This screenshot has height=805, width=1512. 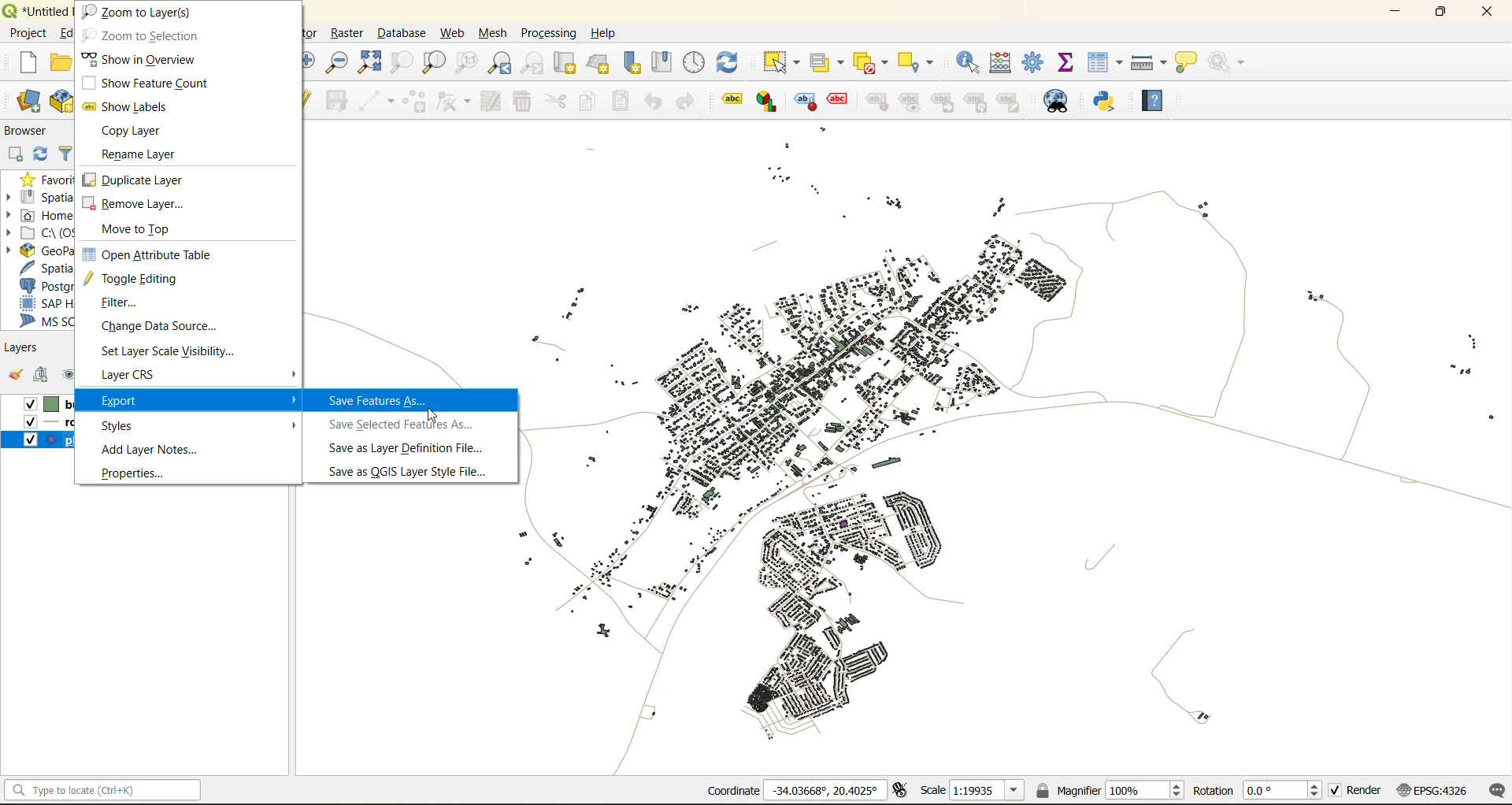 I want to click on rotate a label, so click(x=981, y=103).